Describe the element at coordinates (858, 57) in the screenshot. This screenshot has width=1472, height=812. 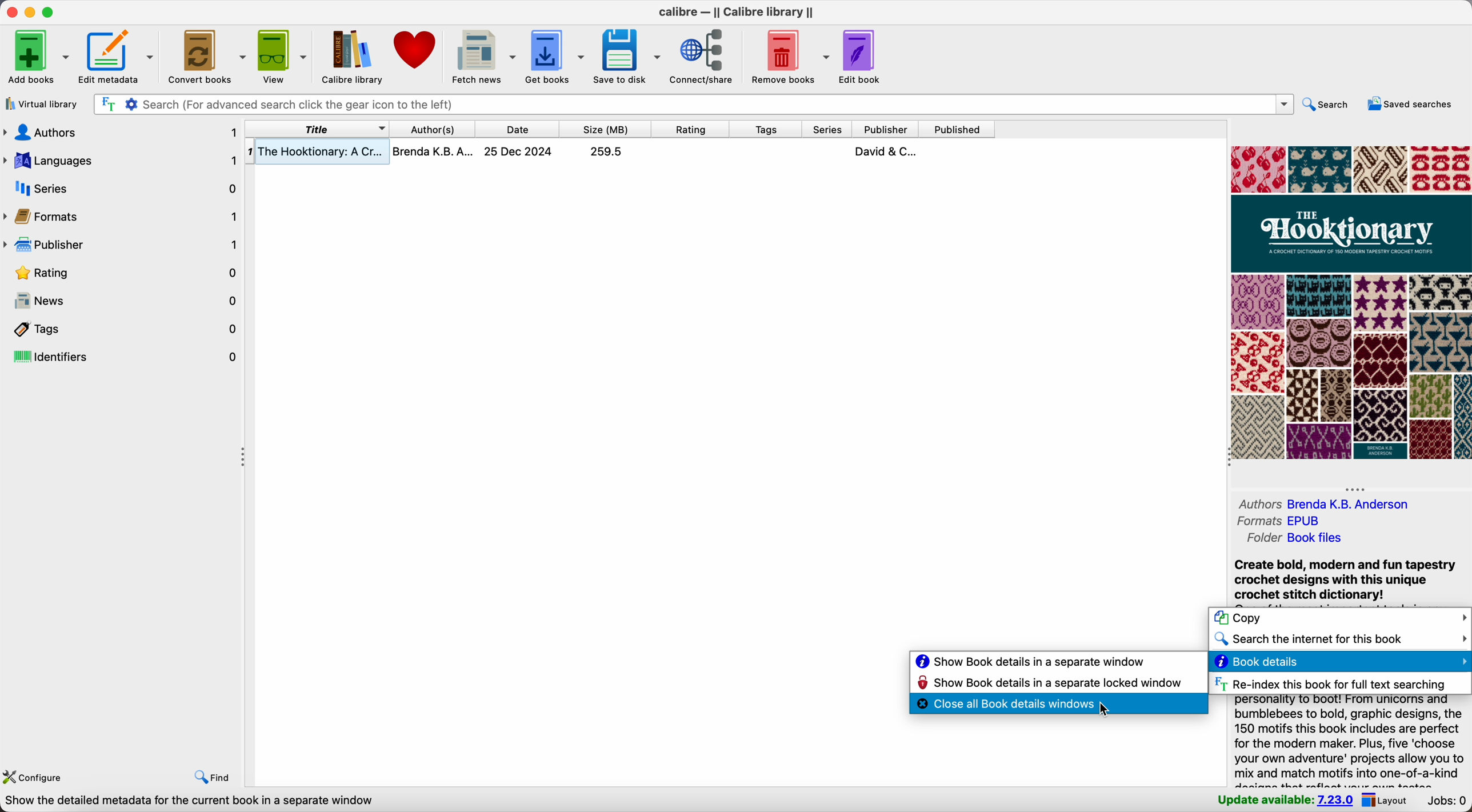
I see `edit book` at that location.